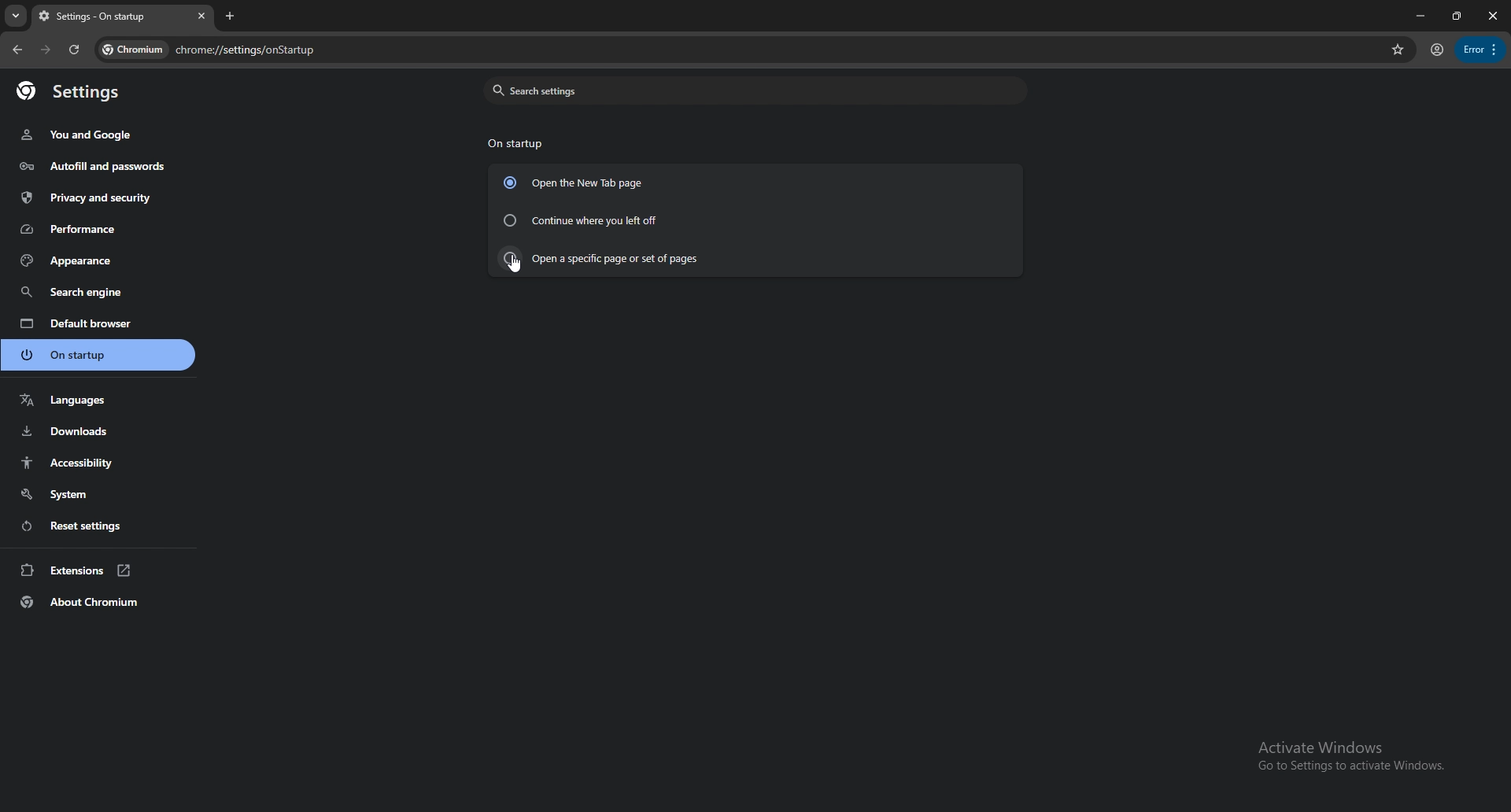 The height and width of the screenshot is (812, 1511). I want to click on profile, so click(1436, 51).